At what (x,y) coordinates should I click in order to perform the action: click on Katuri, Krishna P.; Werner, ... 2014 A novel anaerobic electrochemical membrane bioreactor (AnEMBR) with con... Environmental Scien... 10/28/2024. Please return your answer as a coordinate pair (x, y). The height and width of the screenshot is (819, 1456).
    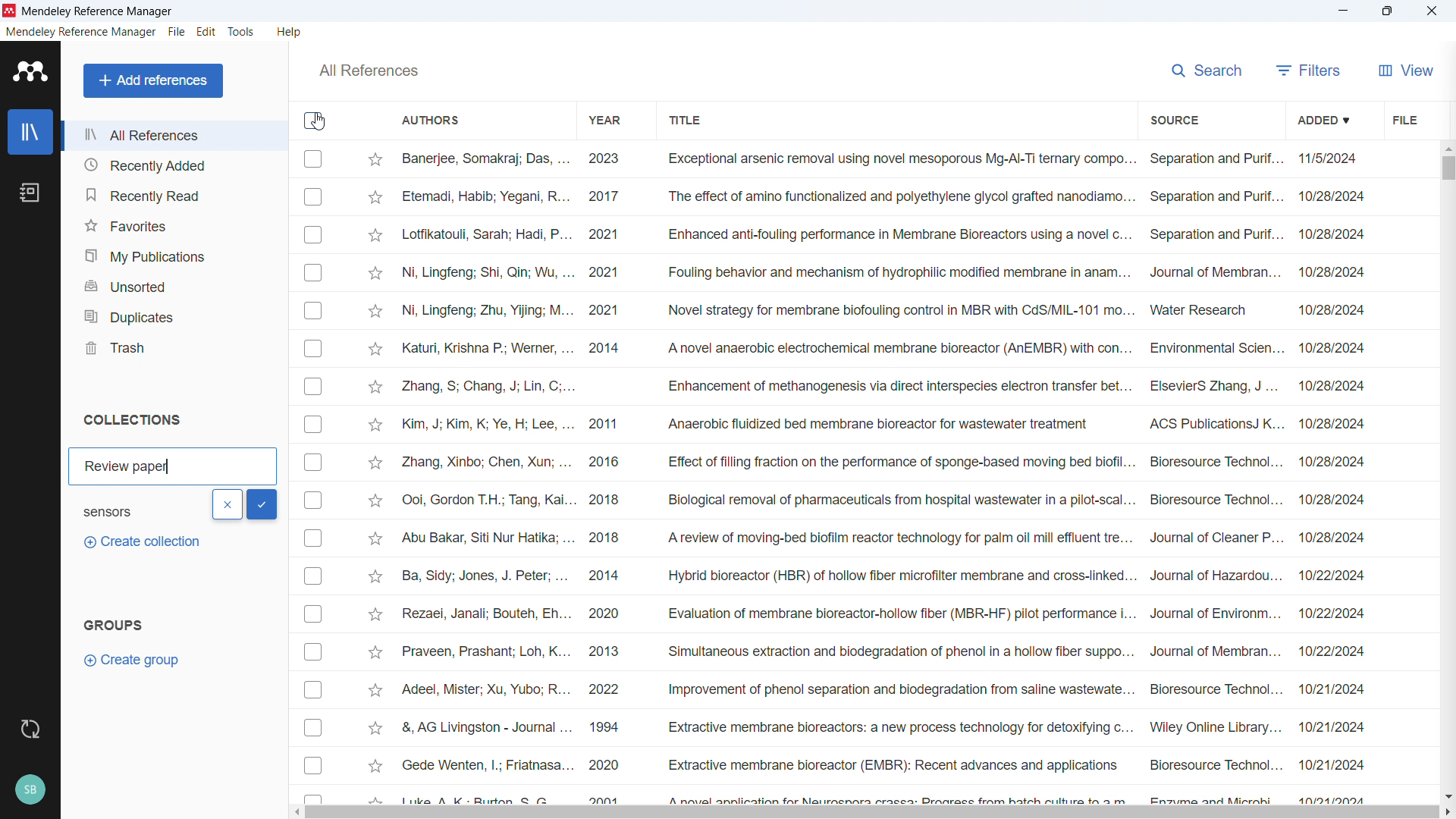
    Looking at the image, I should click on (883, 349).